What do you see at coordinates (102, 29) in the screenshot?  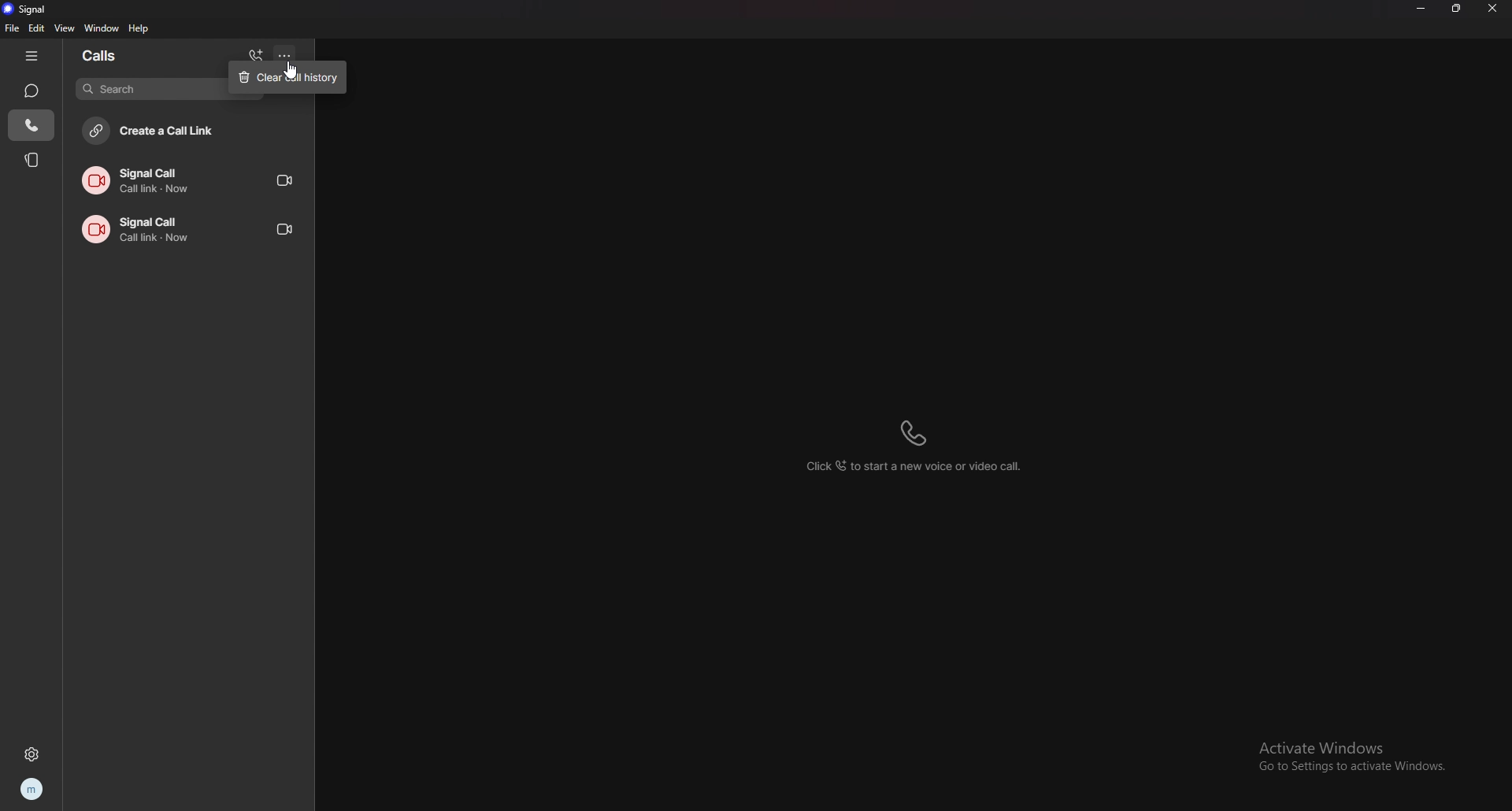 I see `window` at bounding box center [102, 29].